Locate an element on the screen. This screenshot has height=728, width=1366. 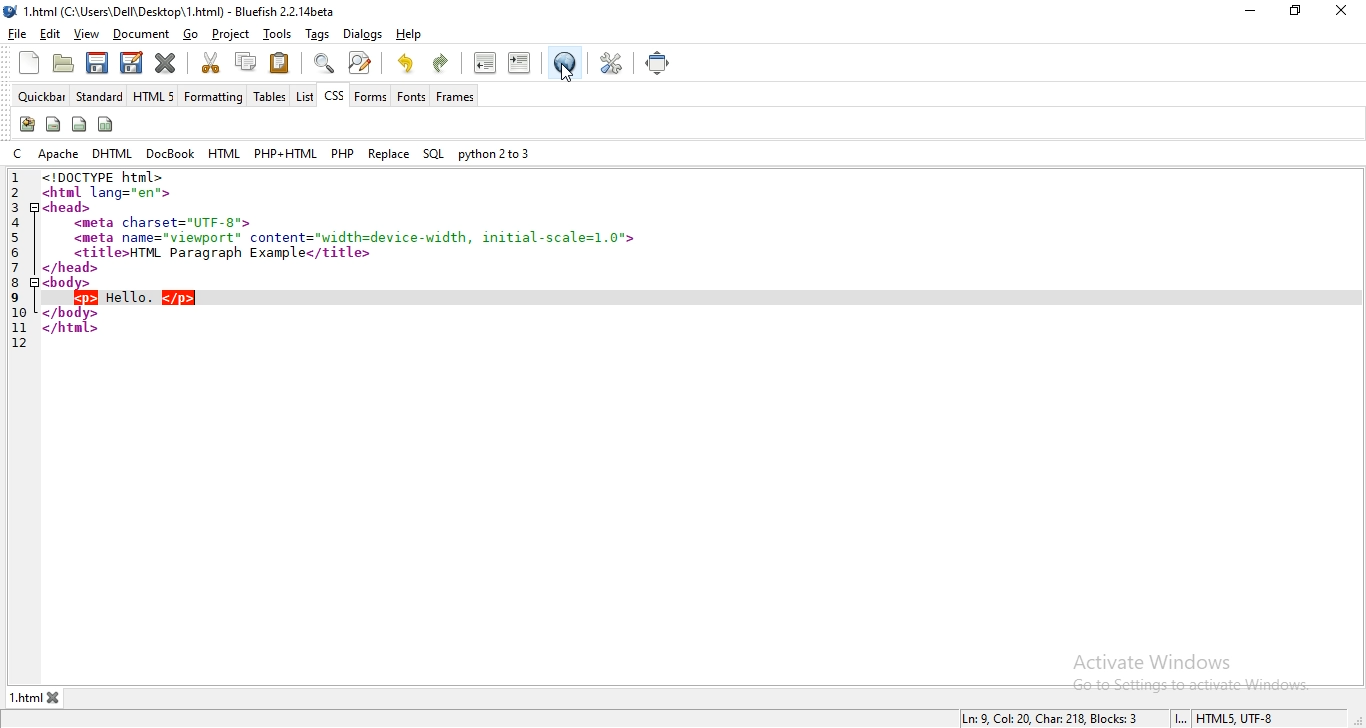
<body> is located at coordinates (69, 283).